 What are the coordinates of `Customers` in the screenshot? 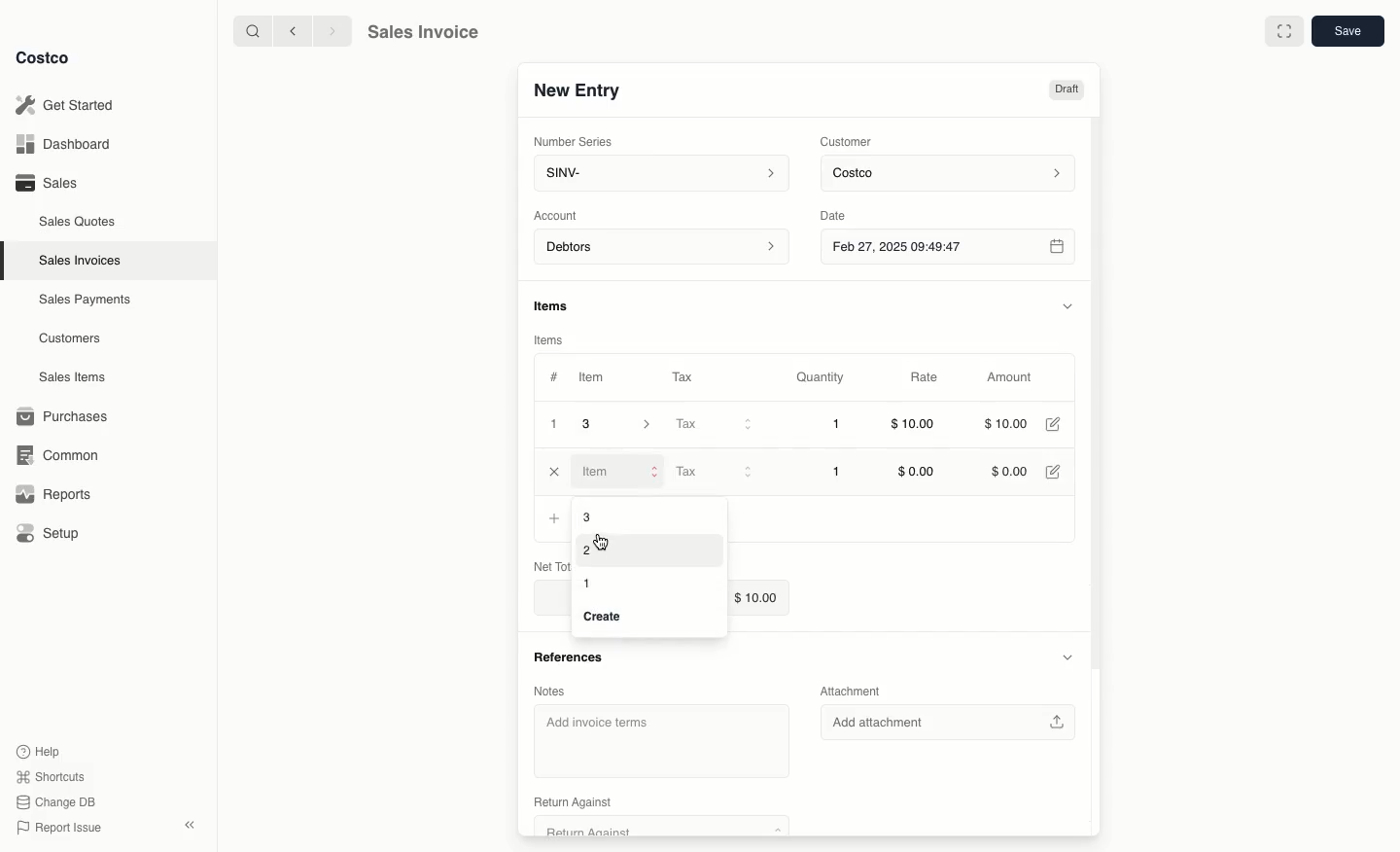 It's located at (73, 338).